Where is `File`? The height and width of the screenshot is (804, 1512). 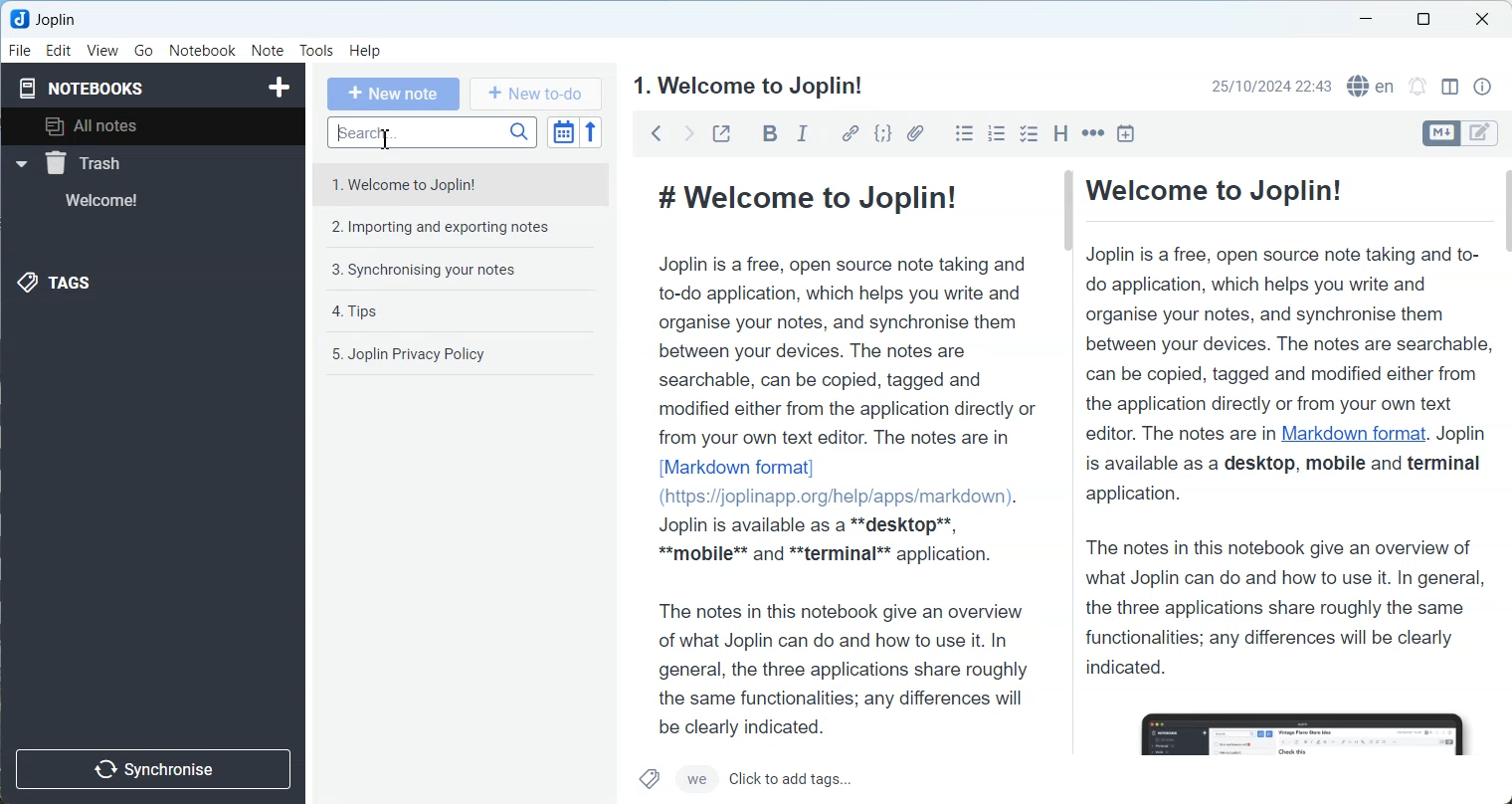
File is located at coordinates (21, 51).